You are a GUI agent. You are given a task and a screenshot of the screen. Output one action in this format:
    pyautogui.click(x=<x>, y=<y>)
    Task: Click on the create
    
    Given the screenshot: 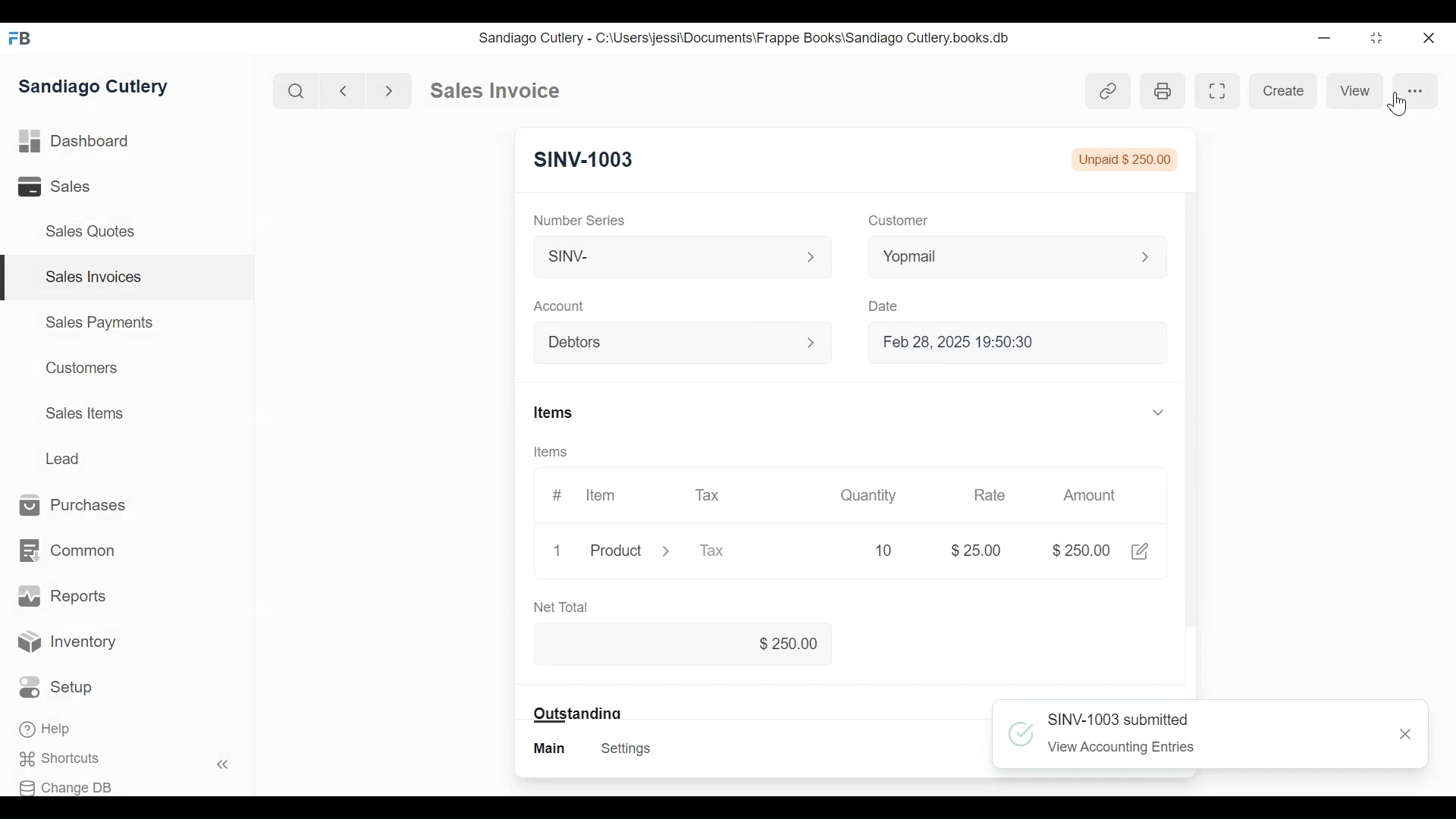 What is the action you would take?
    pyautogui.click(x=1281, y=91)
    